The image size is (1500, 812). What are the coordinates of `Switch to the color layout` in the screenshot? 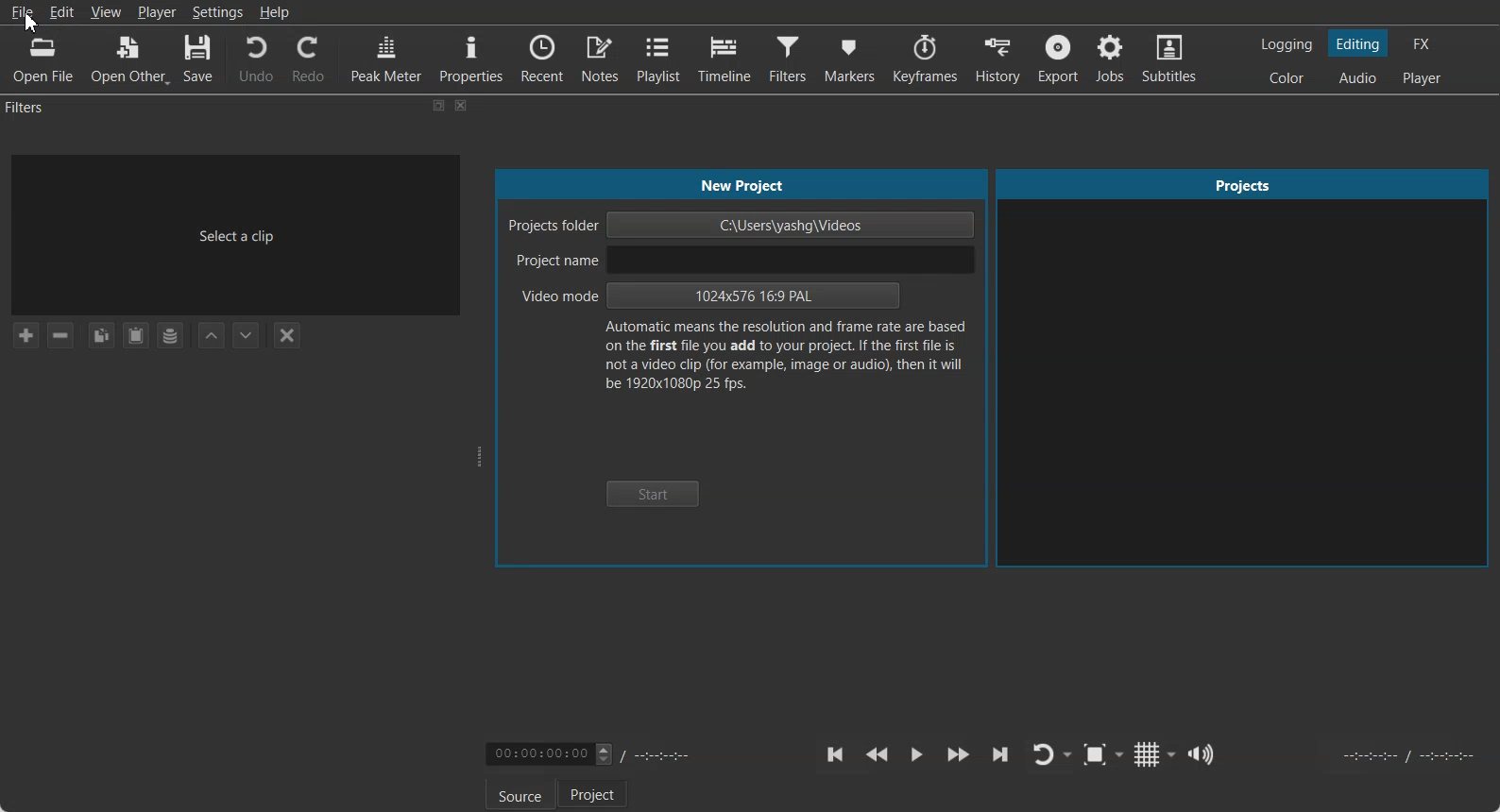 It's located at (1288, 77).